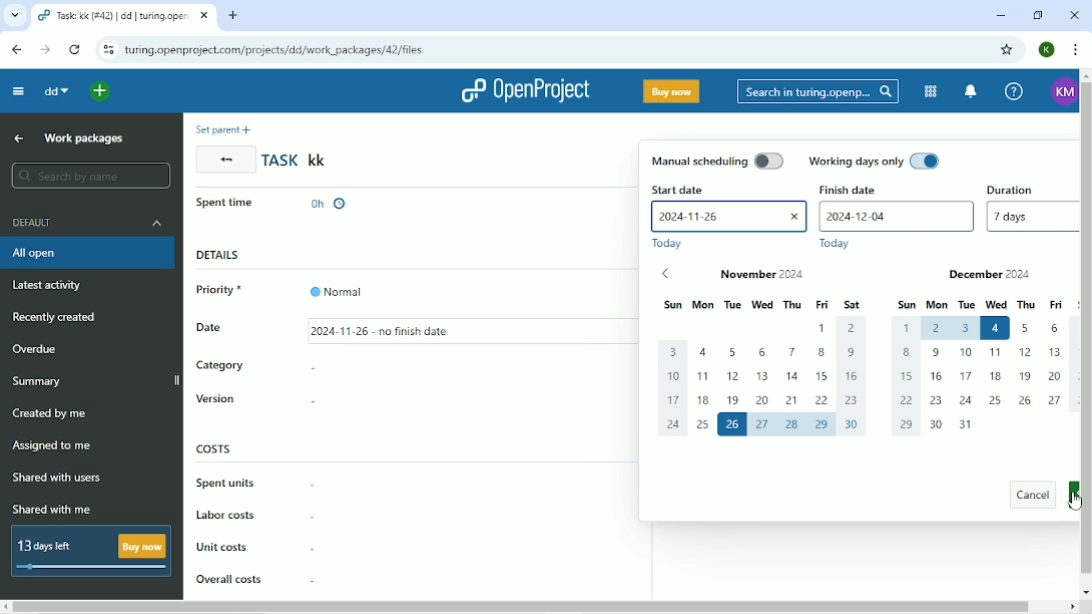  Describe the element at coordinates (676, 273) in the screenshot. I see `previous dates` at that location.